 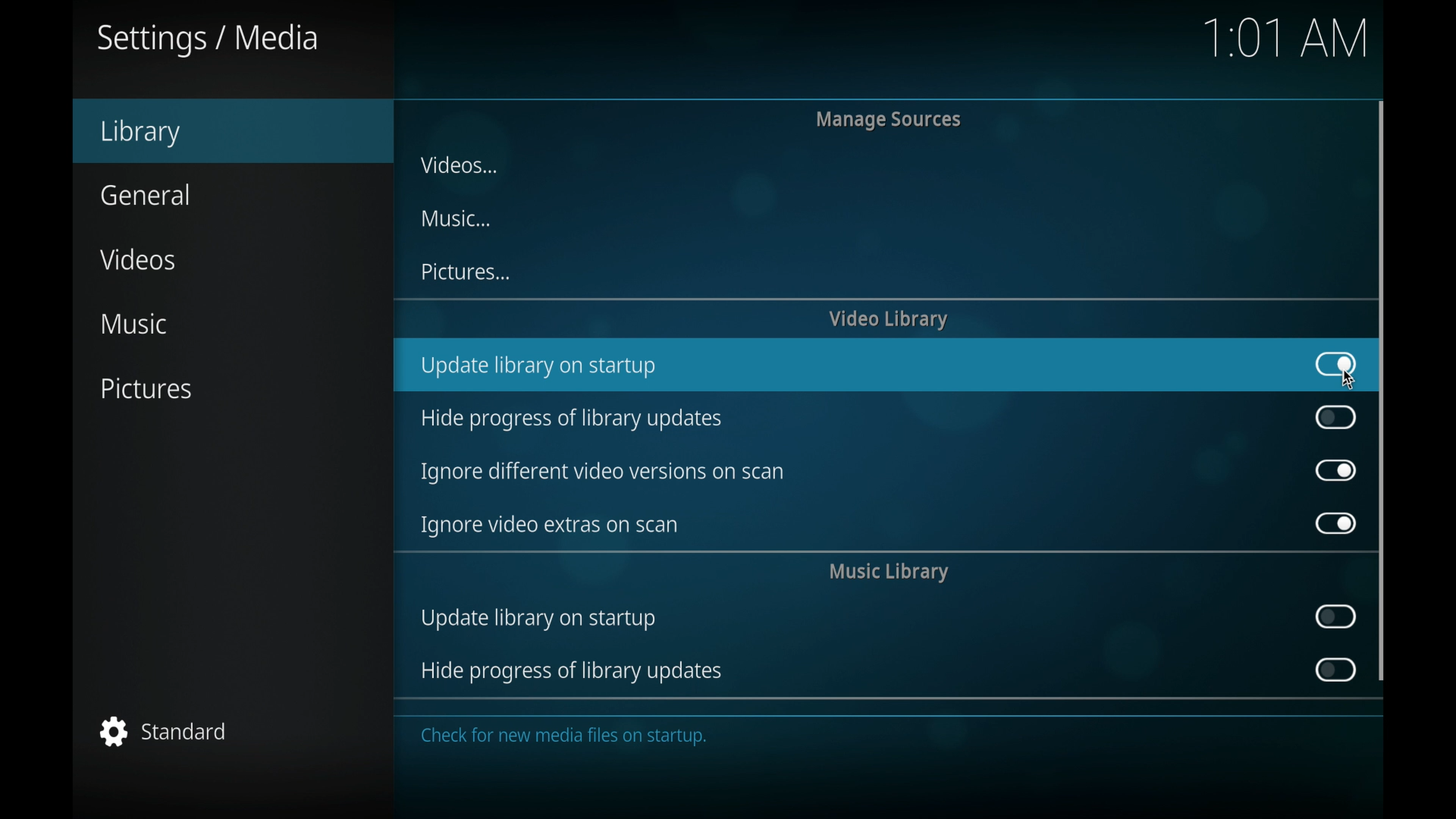 I want to click on general, so click(x=145, y=194).